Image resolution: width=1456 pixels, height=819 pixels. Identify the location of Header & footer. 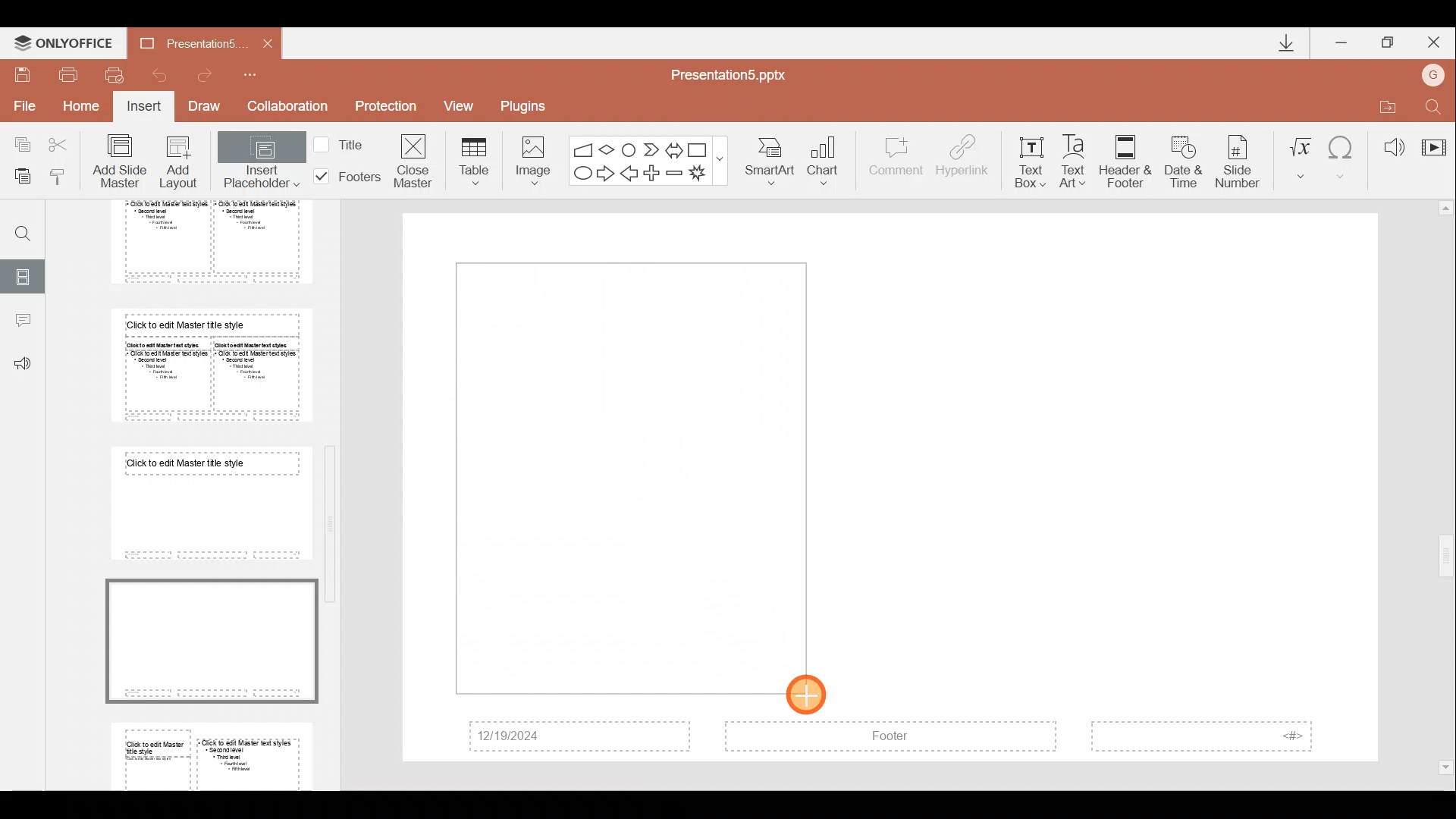
(1125, 161).